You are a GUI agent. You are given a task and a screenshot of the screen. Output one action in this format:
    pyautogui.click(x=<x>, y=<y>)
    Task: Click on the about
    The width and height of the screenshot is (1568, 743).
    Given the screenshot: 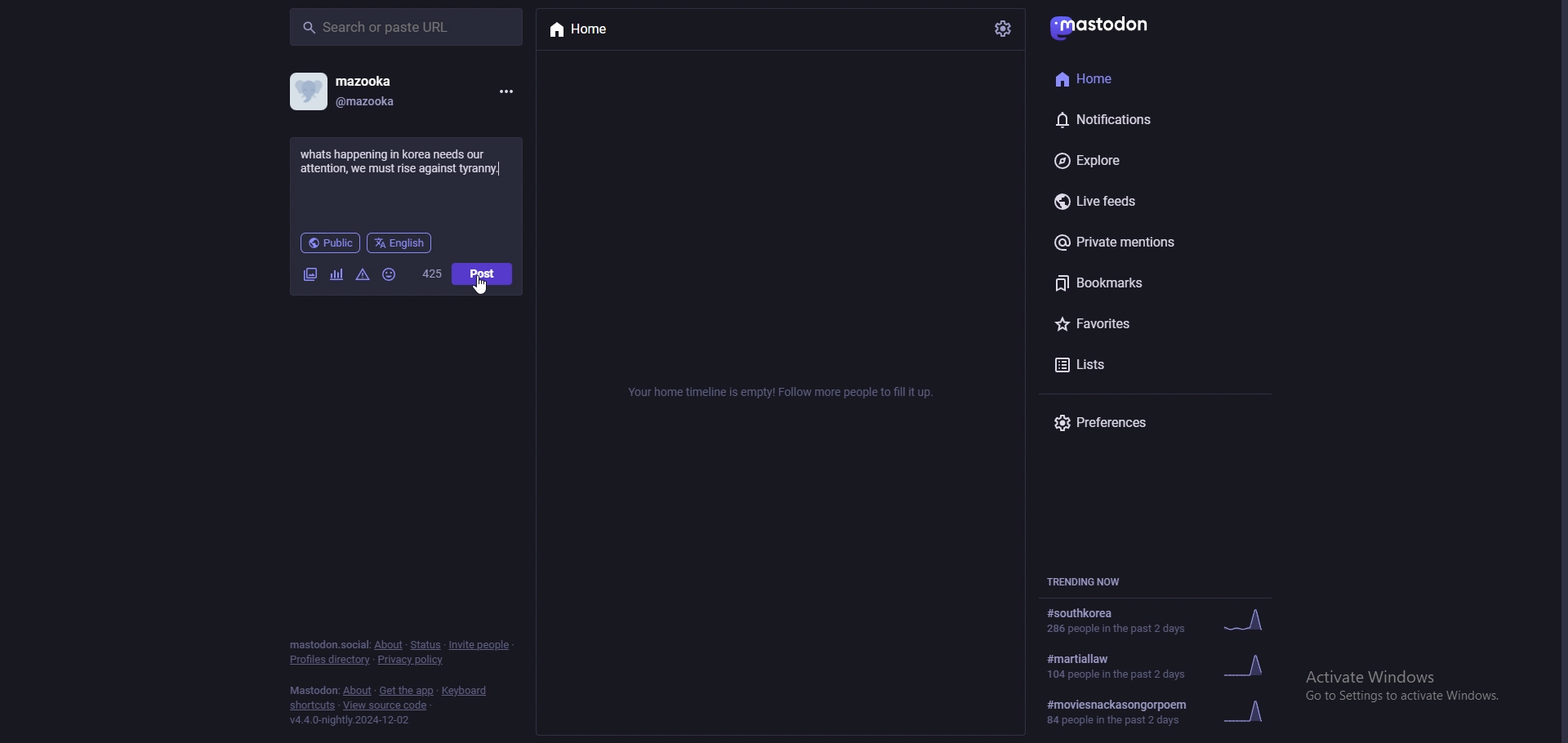 What is the action you would take?
    pyautogui.click(x=357, y=691)
    